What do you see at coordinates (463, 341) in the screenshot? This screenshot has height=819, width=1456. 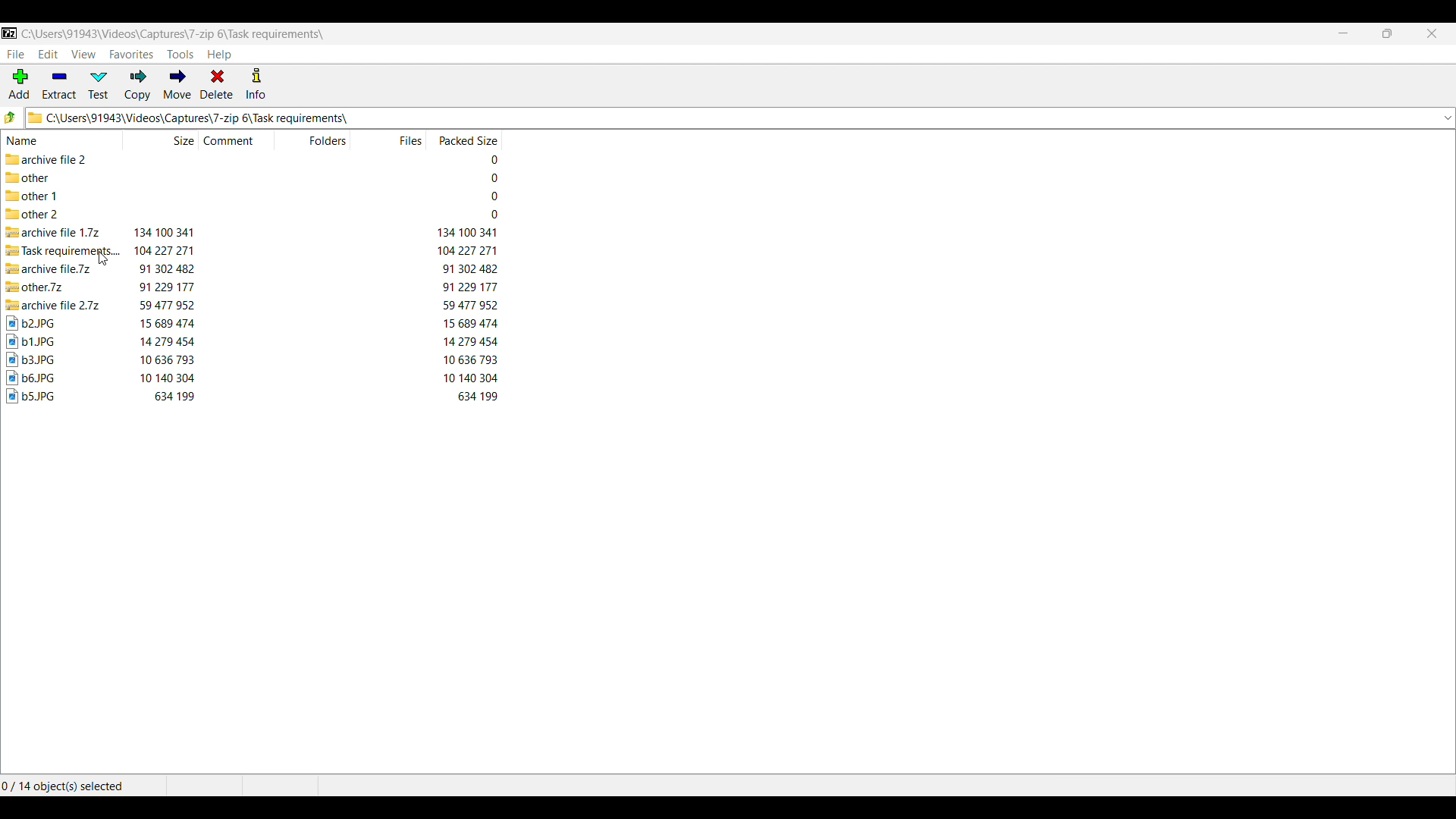 I see `packed size` at bounding box center [463, 341].